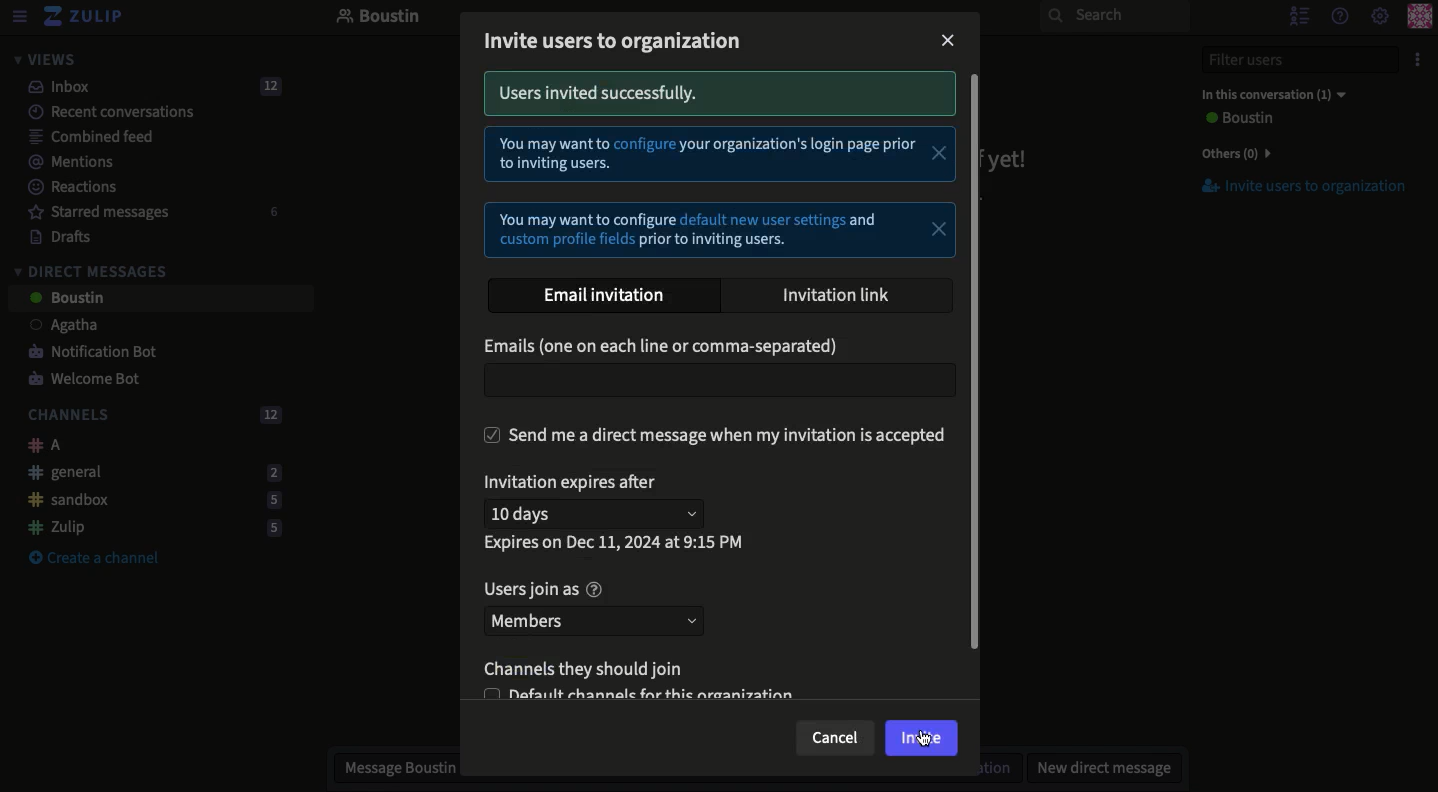 The width and height of the screenshot is (1438, 792). What do you see at coordinates (64, 162) in the screenshot?
I see `Mentions` at bounding box center [64, 162].